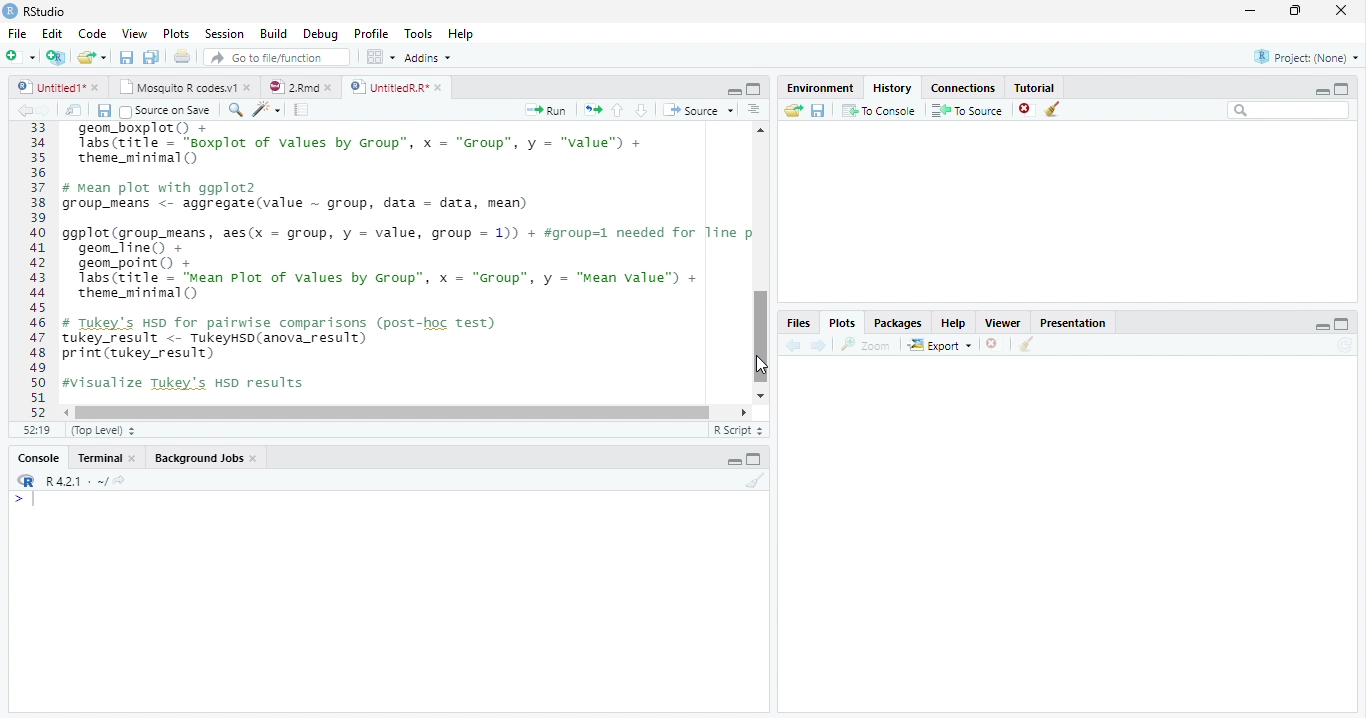 This screenshot has height=718, width=1366. Describe the element at coordinates (38, 460) in the screenshot. I see `Console` at that location.